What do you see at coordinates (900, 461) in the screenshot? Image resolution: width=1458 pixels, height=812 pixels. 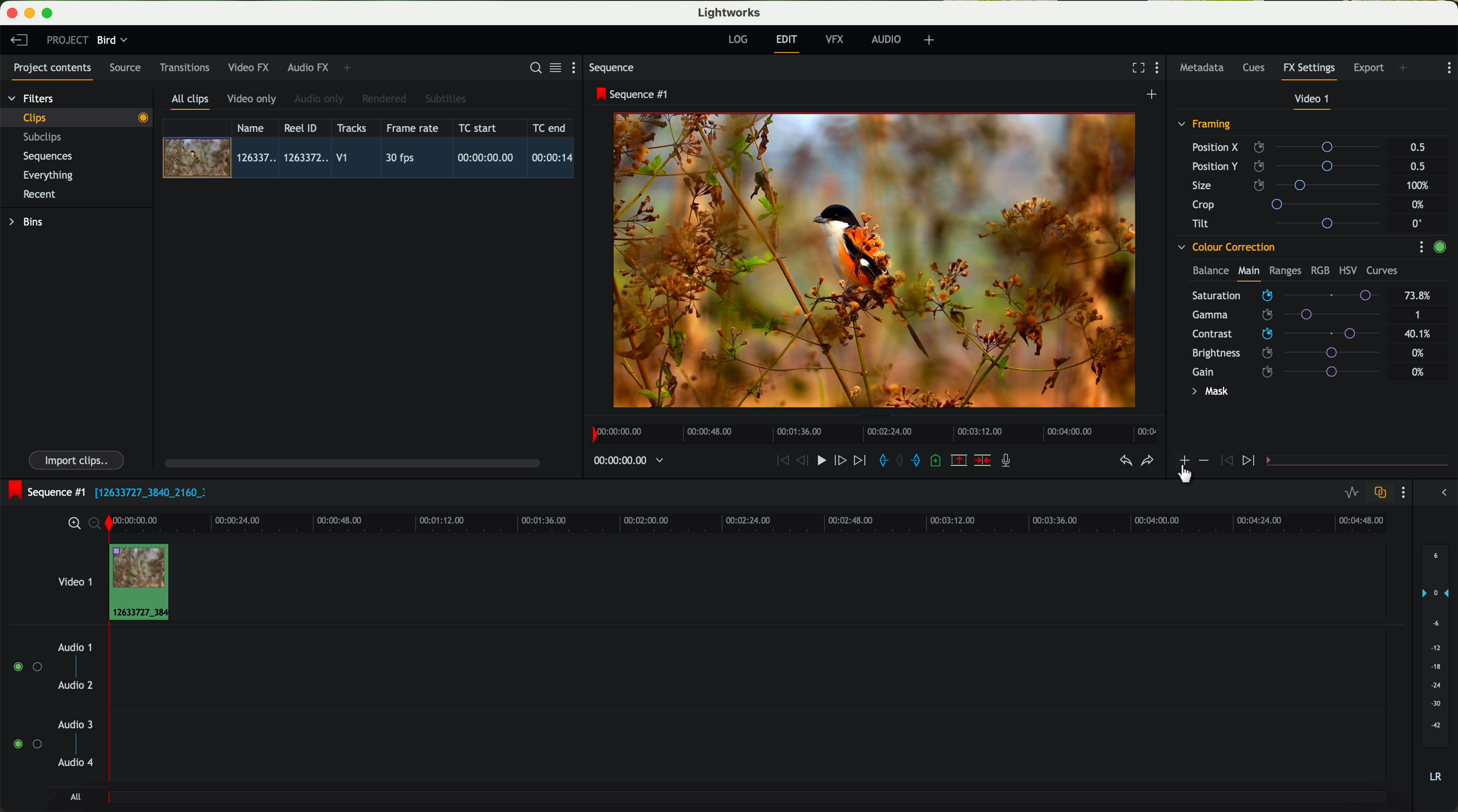 I see `clear marks` at bounding box center [900, 461].